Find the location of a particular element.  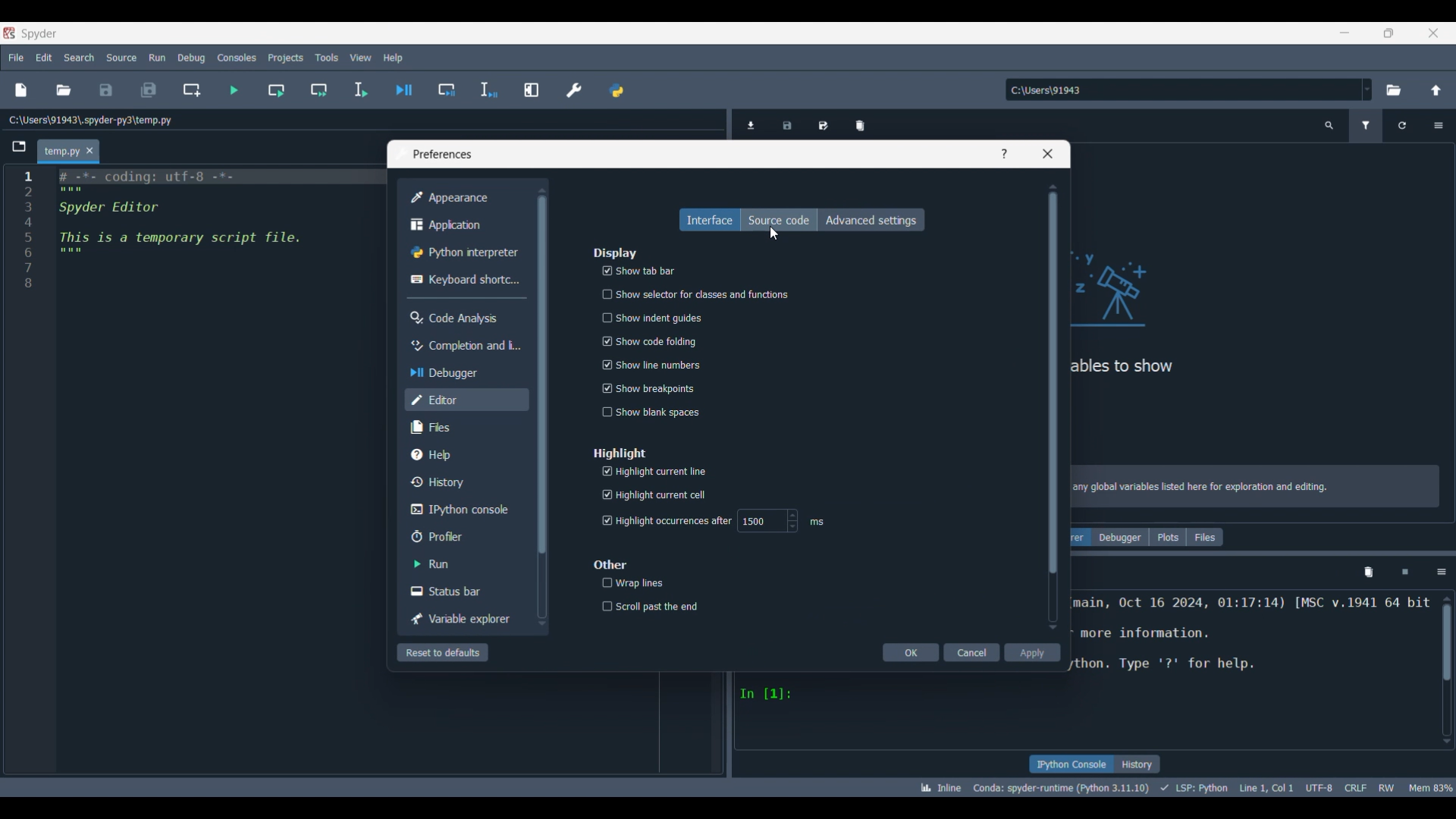

Show interface in a smaller tab is located at coordinates (1389, 33).